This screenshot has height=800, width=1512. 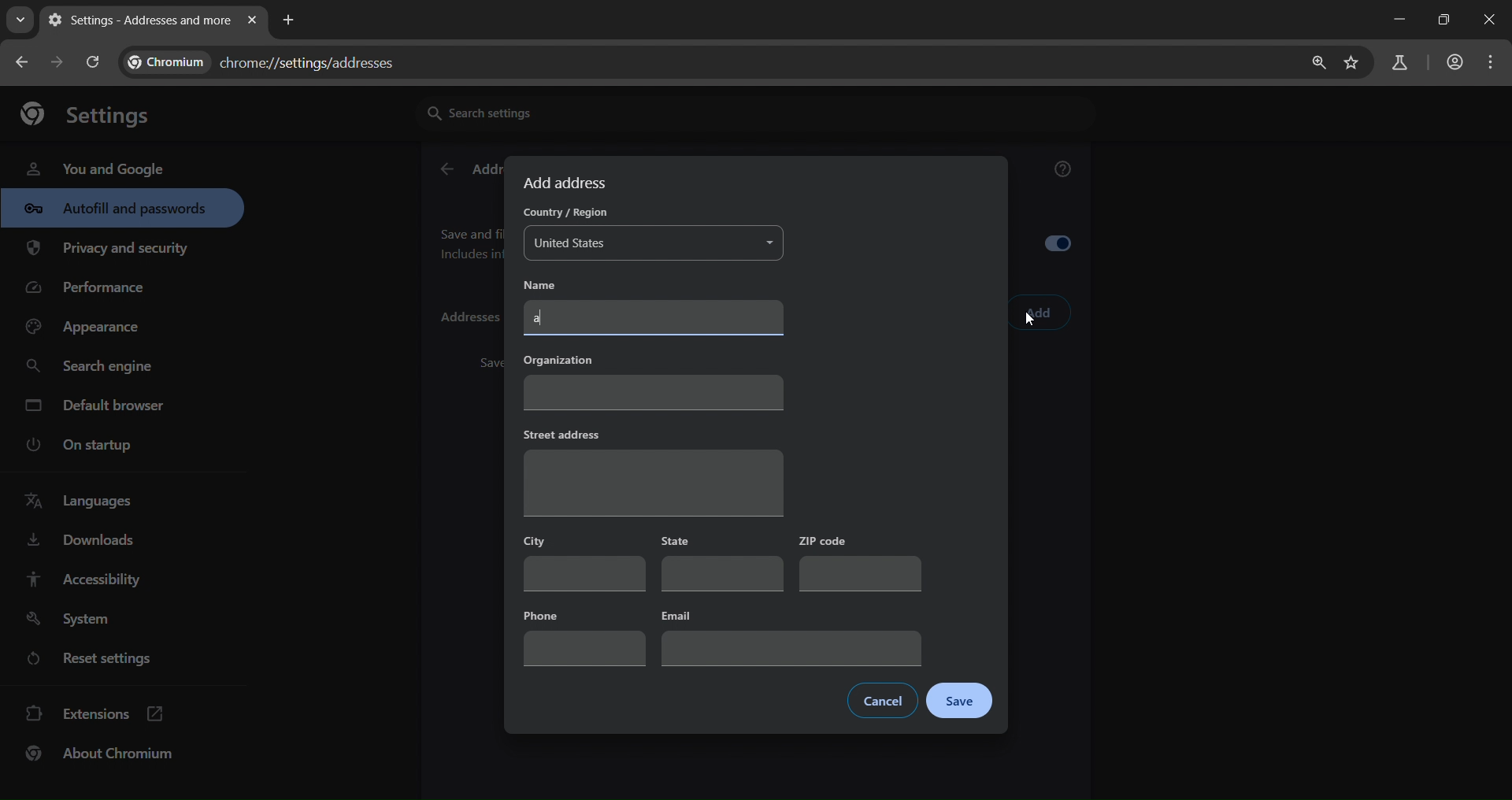 I want to click on back, so click(x=446, y=170).